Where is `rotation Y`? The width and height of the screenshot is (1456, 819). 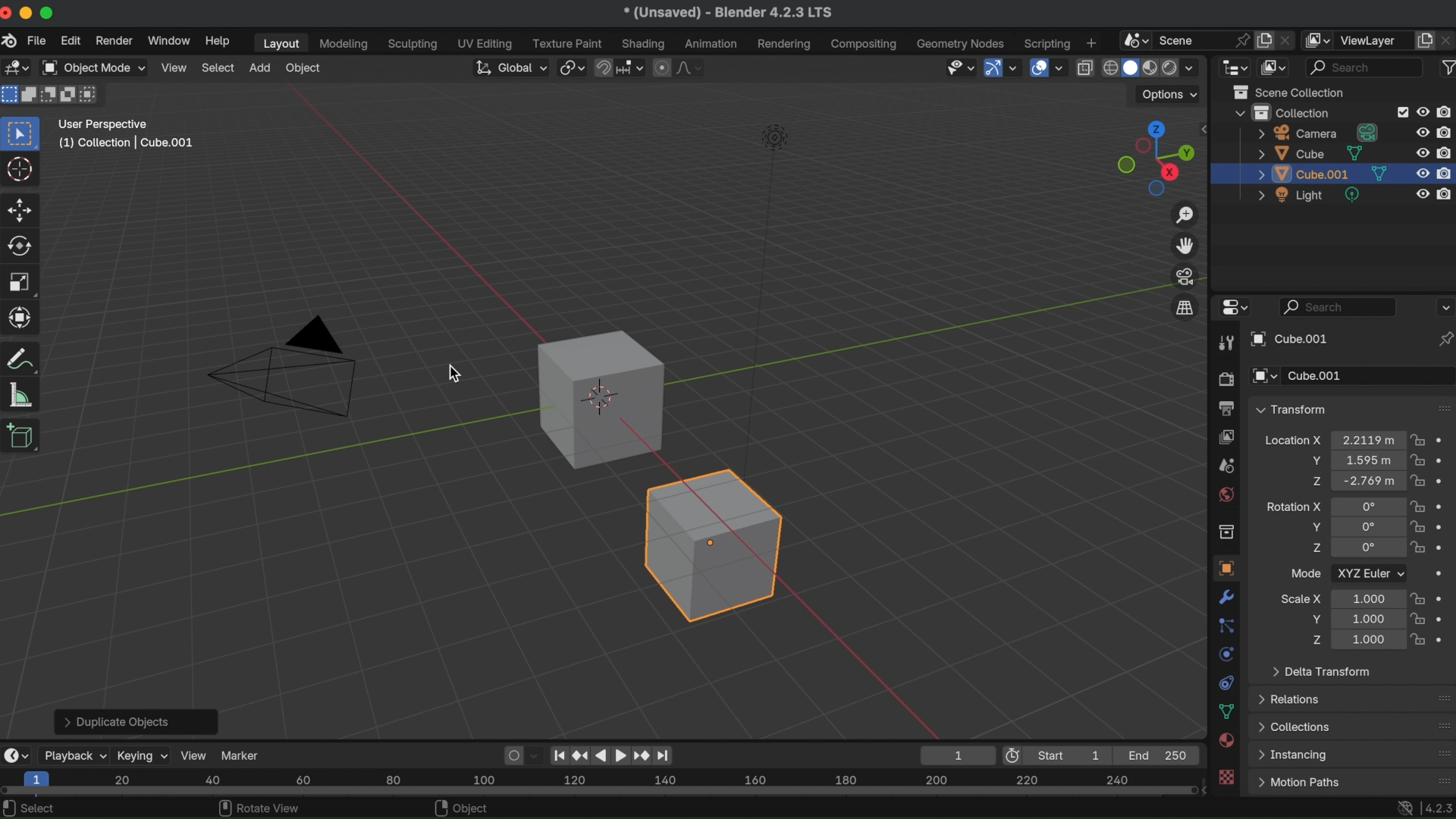
rotation Y is located at coordinates (1314, 527).